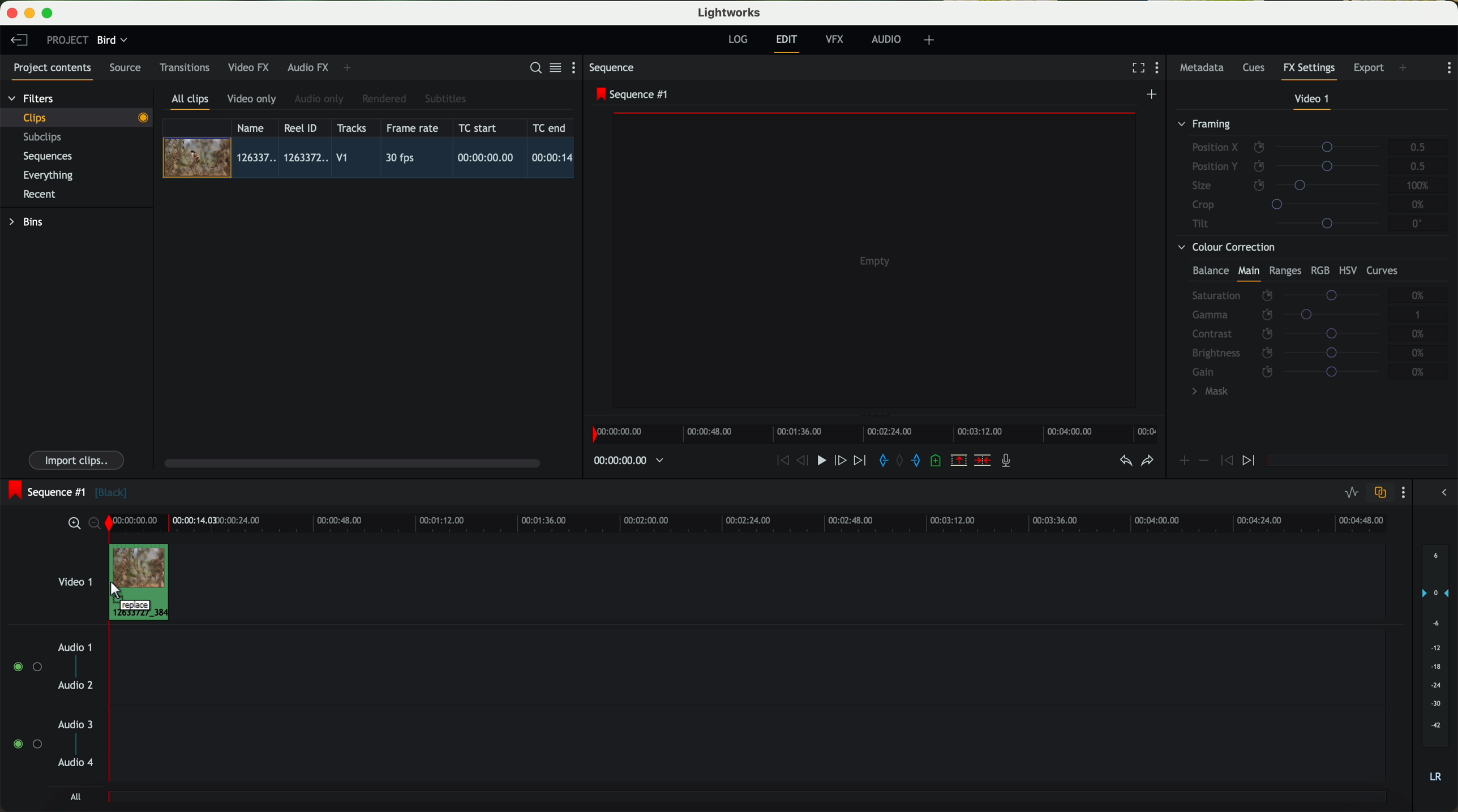 The height and width of the screenshot is (812, 1458). I want to click on delete/cut, so click(983, 461).